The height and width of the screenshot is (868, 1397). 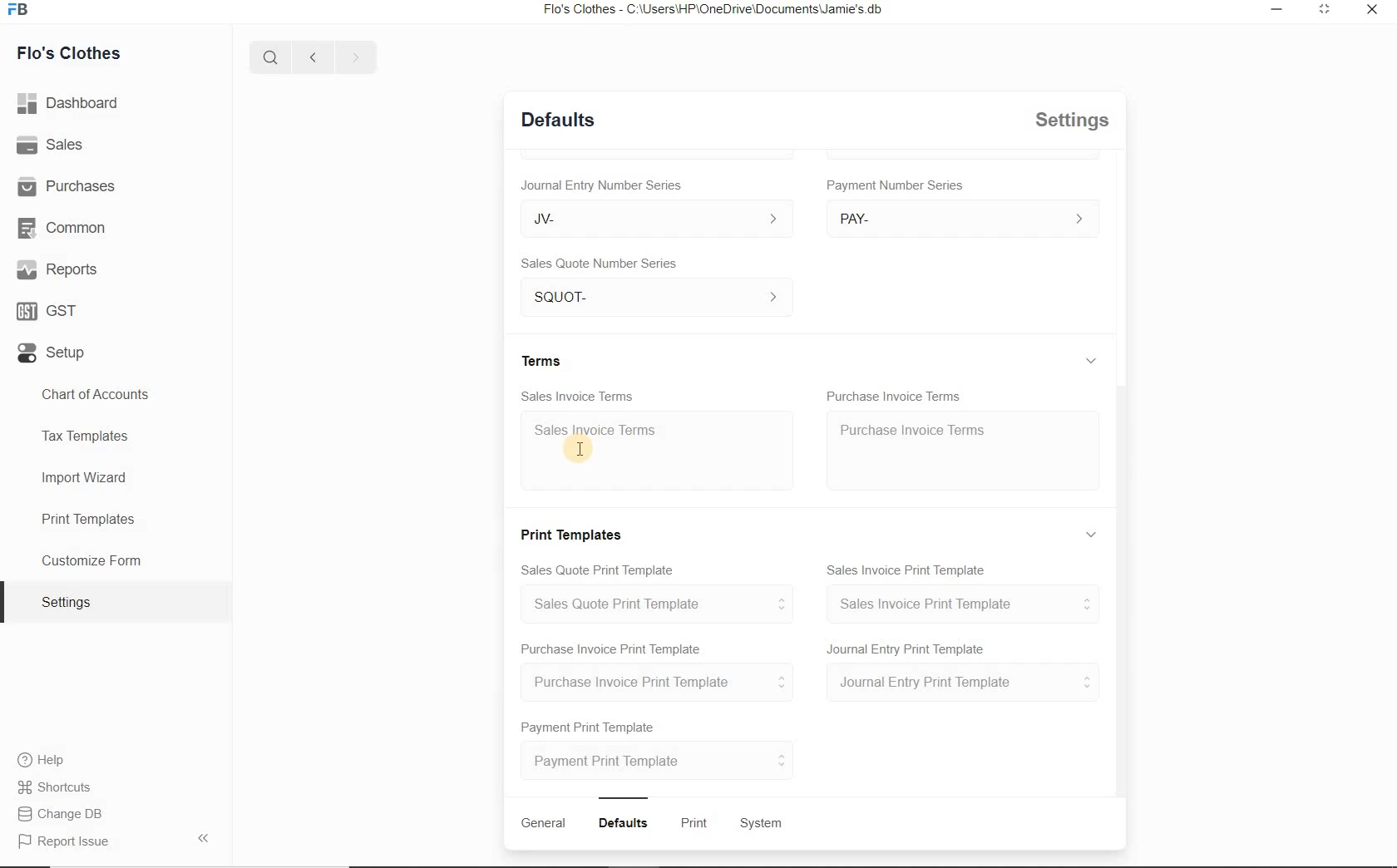 What do you see at coordinates (604, 262) in the screenshot?
I see `Sales Quote Number Series` at bounding box center [604, 262].